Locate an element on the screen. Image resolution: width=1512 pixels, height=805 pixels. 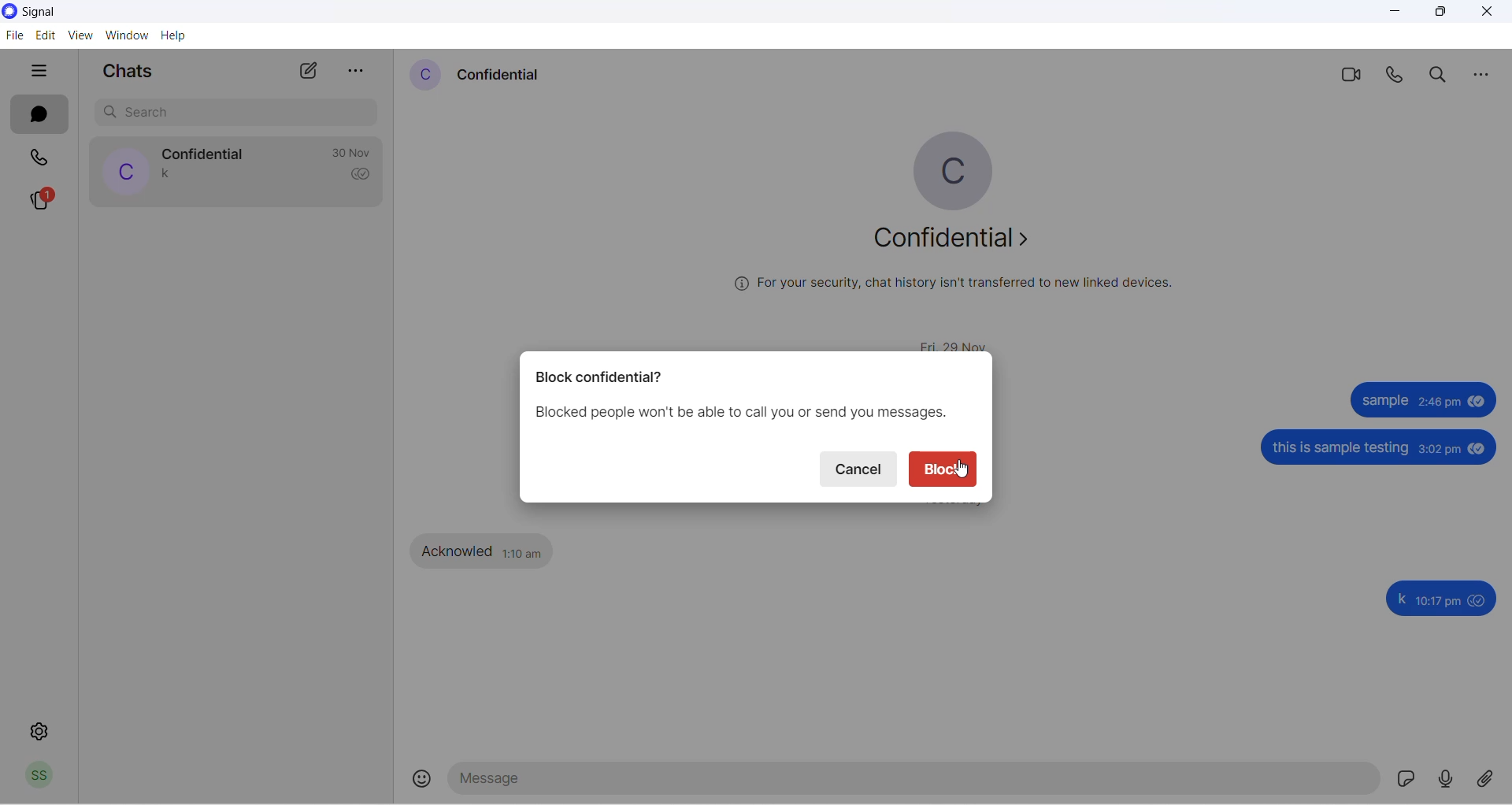
read recipient is located at coordinates (363, 176).